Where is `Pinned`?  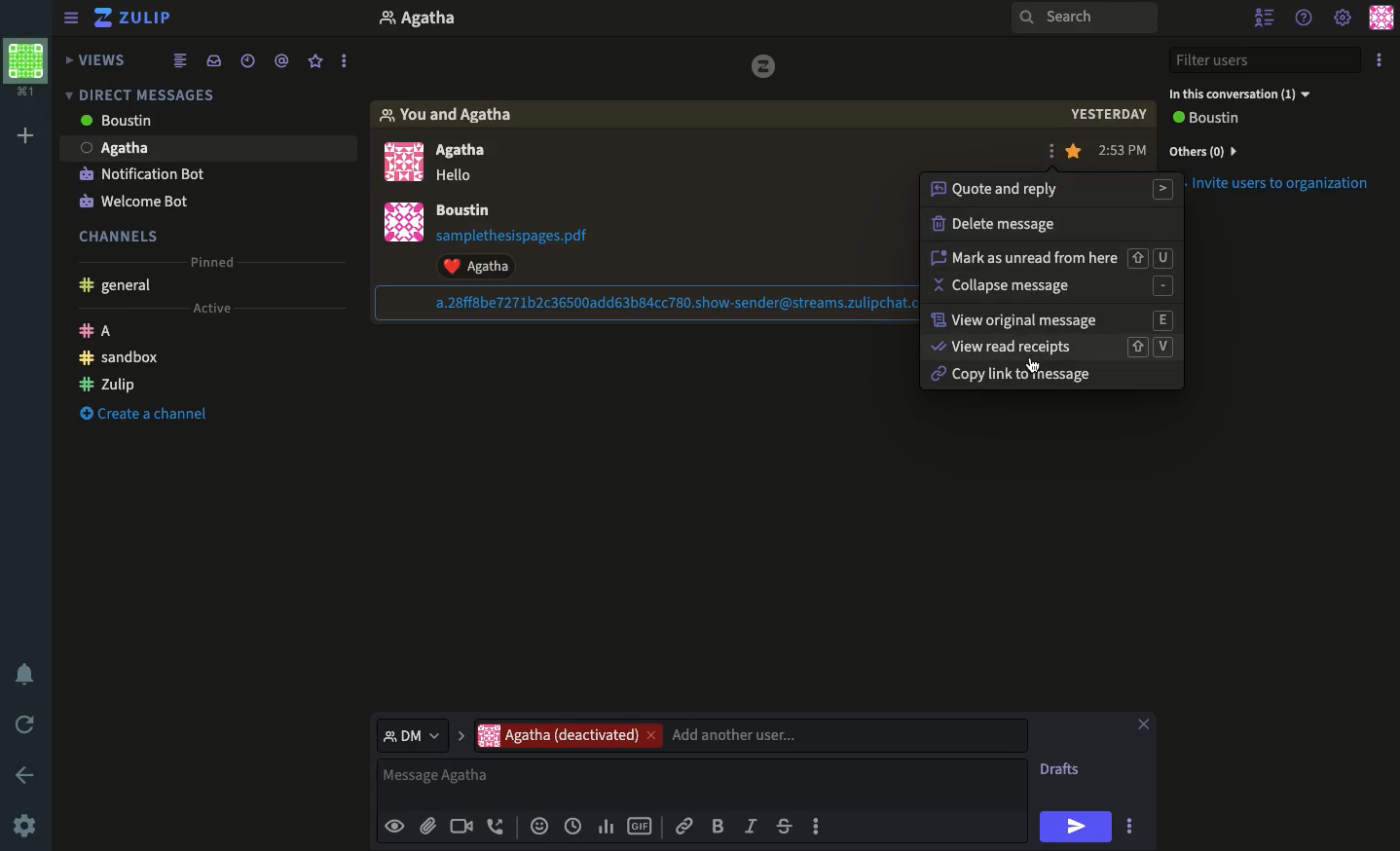
Pinned is located at coordinates (218, 263).